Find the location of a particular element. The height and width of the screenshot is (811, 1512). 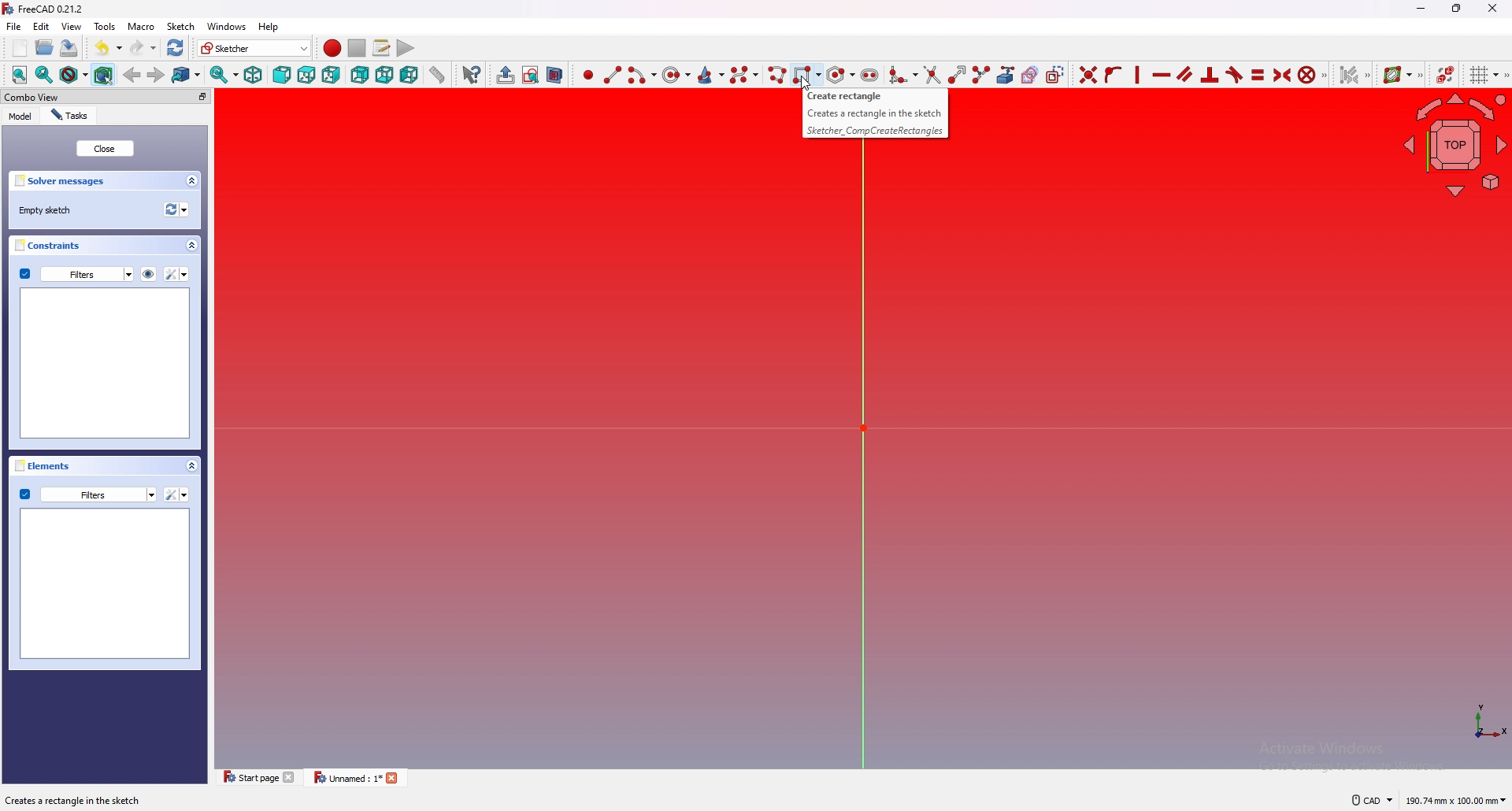

hide is located at coordinates (148, 275).